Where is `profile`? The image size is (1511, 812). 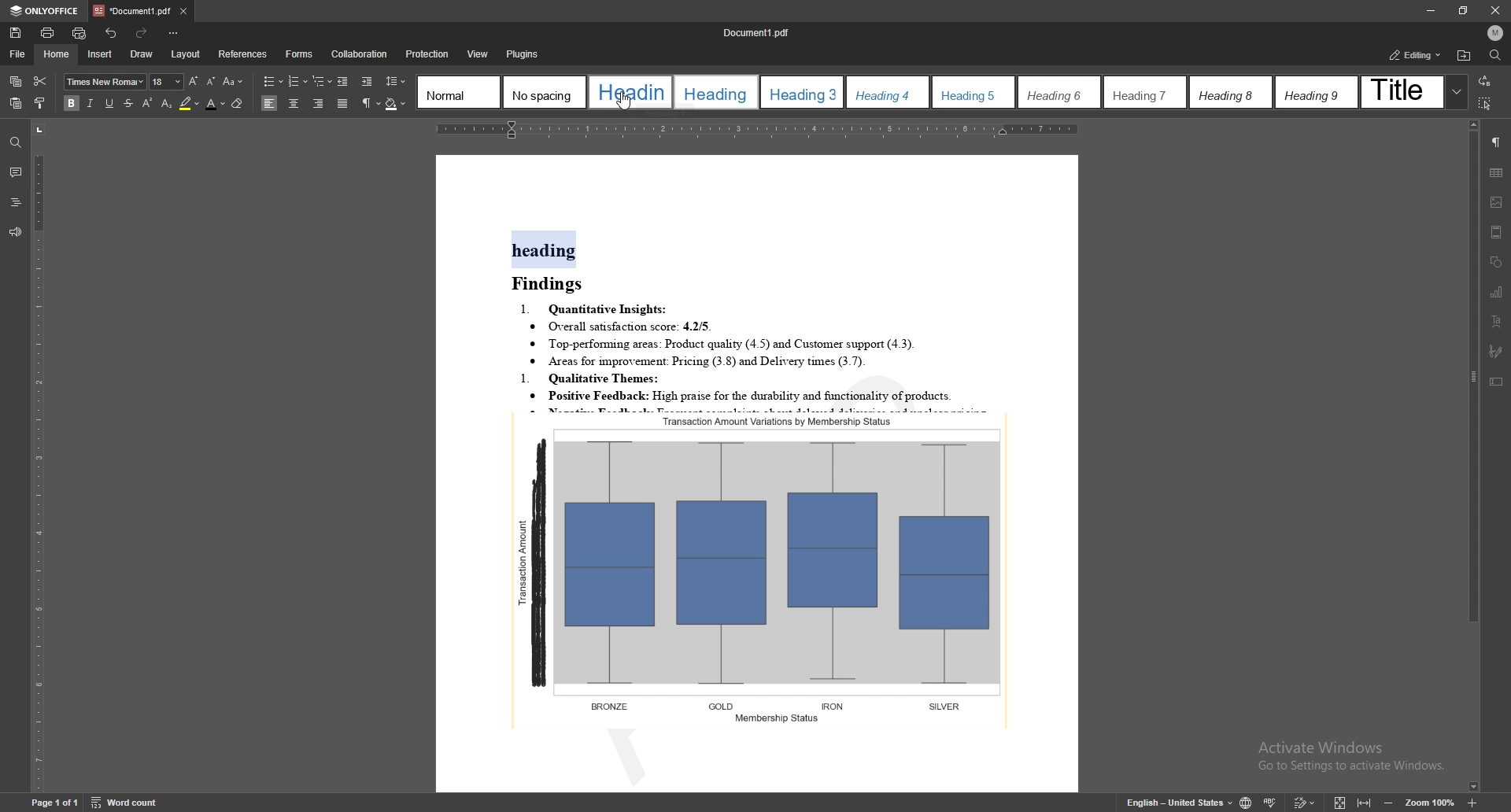 profile is located at coordinates (1495, 33).